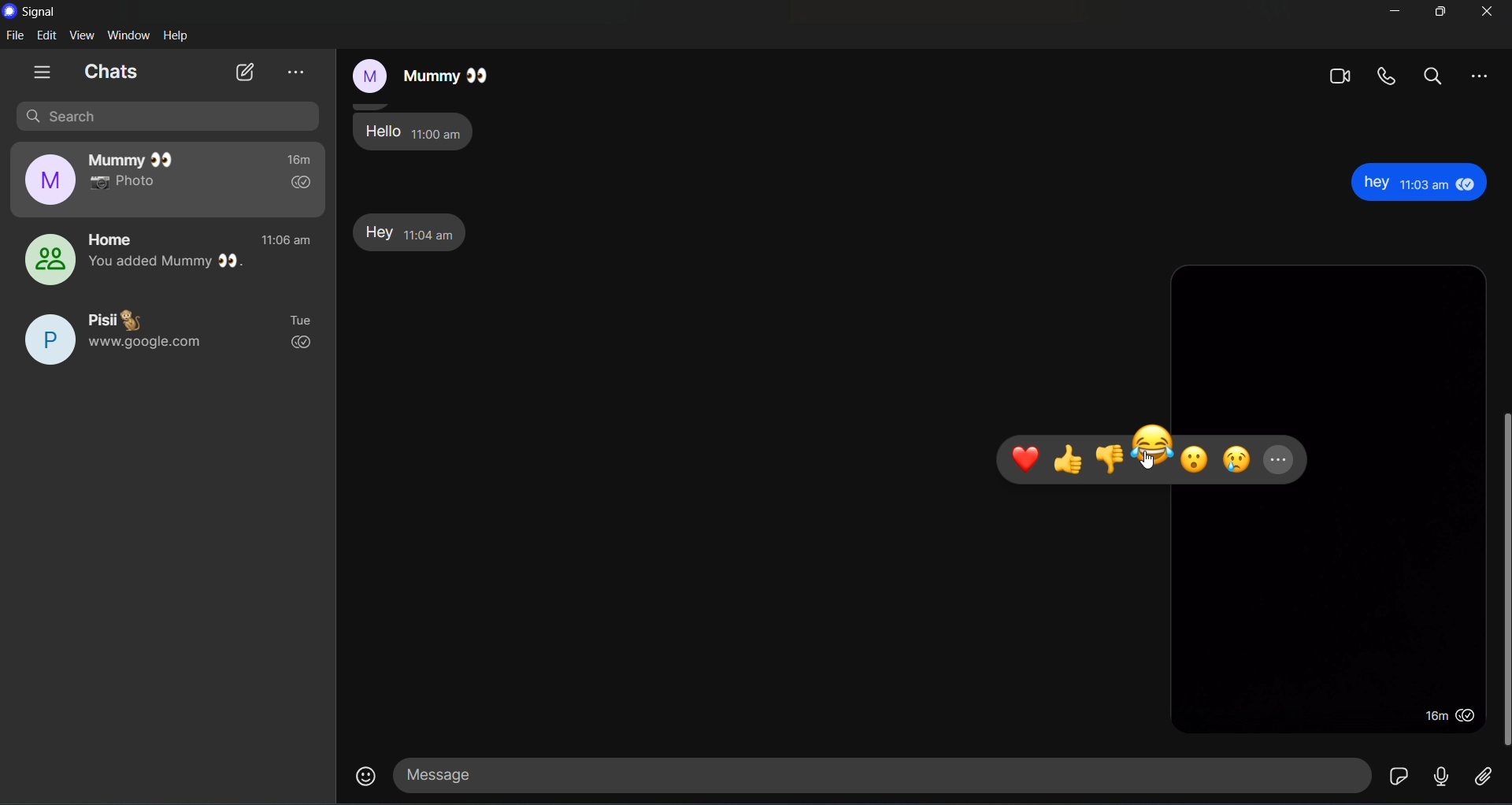 This screenshot has width=1512, height=805. What do you see at coordinates (132, 35) in the screenshot?
I see `window` at bounding box center [132, 35].